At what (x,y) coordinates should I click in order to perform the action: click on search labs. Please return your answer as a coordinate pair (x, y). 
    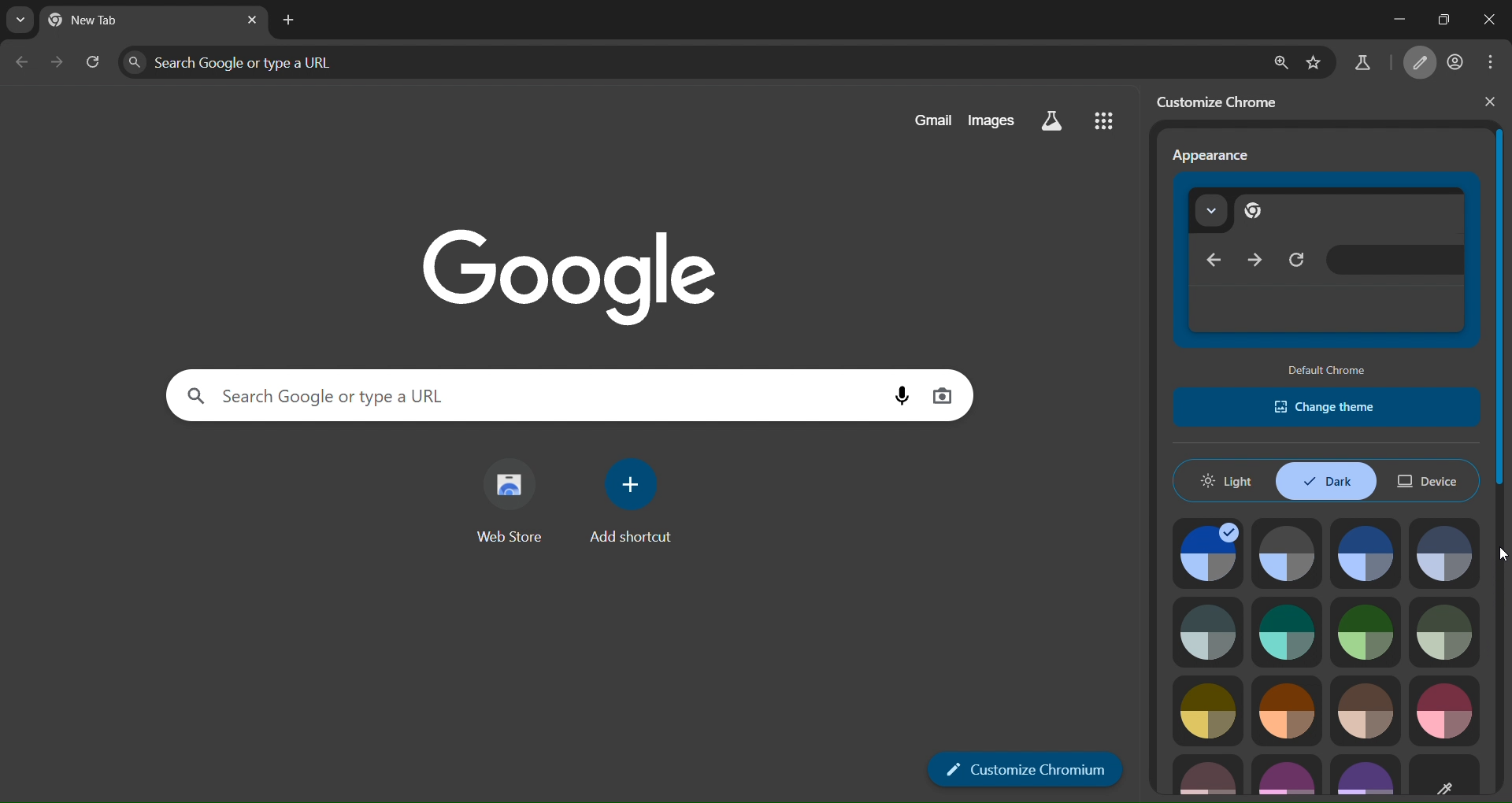
    Looking at the image, I should click on (1362, 66).